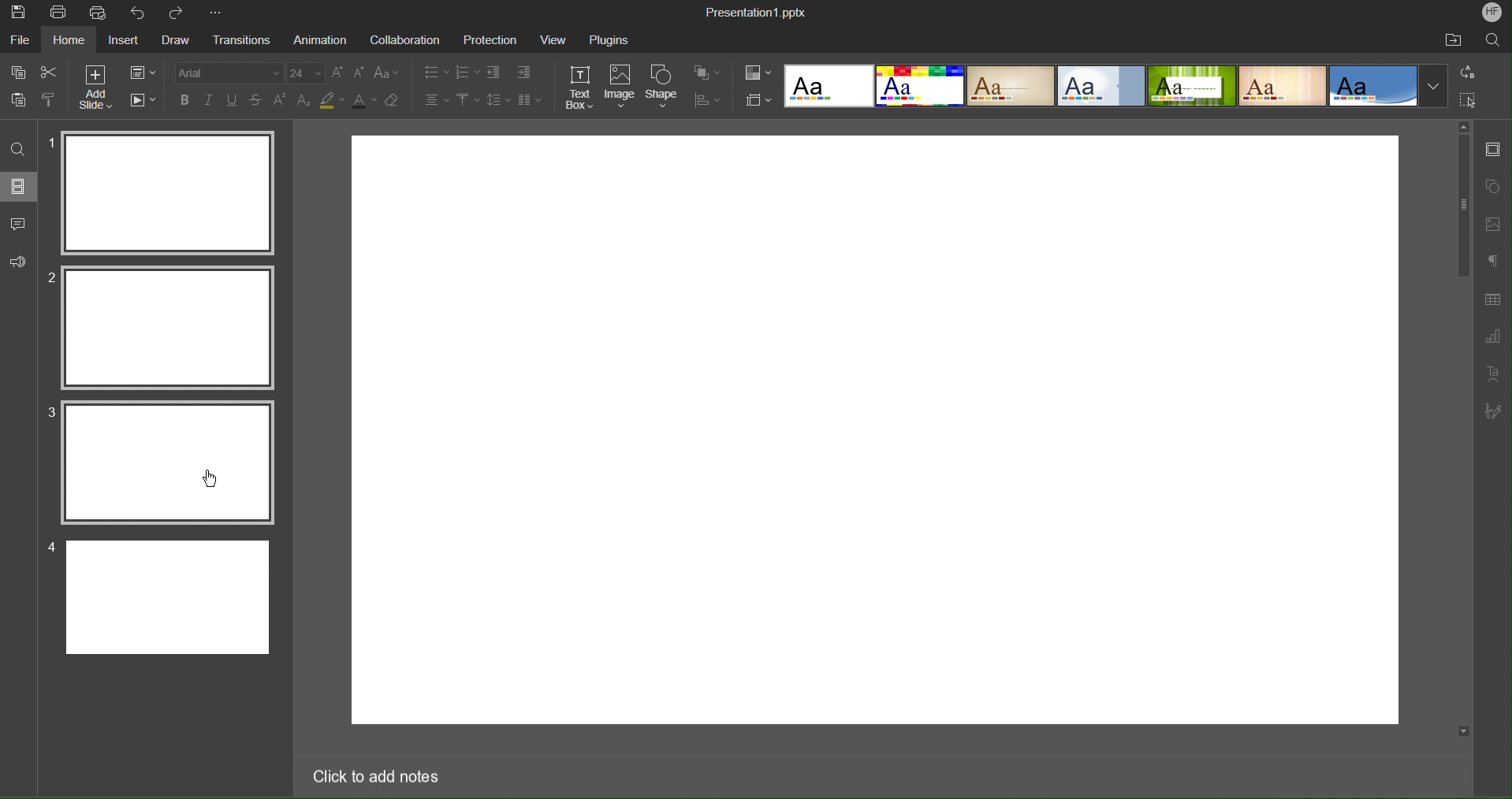 The image size is (1512, 799). I want to click on Graph Settings, so click(1492, 335).